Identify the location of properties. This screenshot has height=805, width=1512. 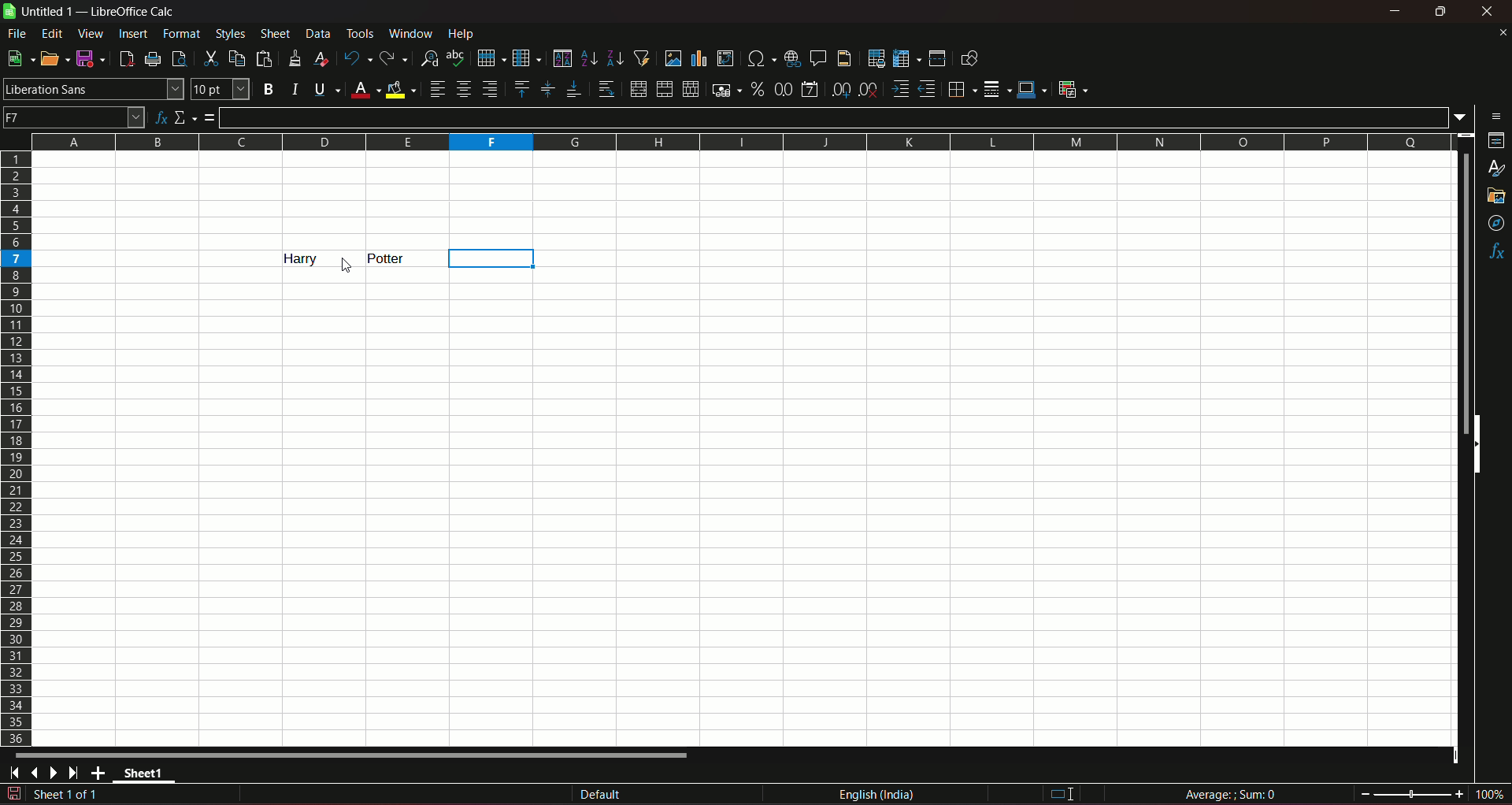
(1496, 142).